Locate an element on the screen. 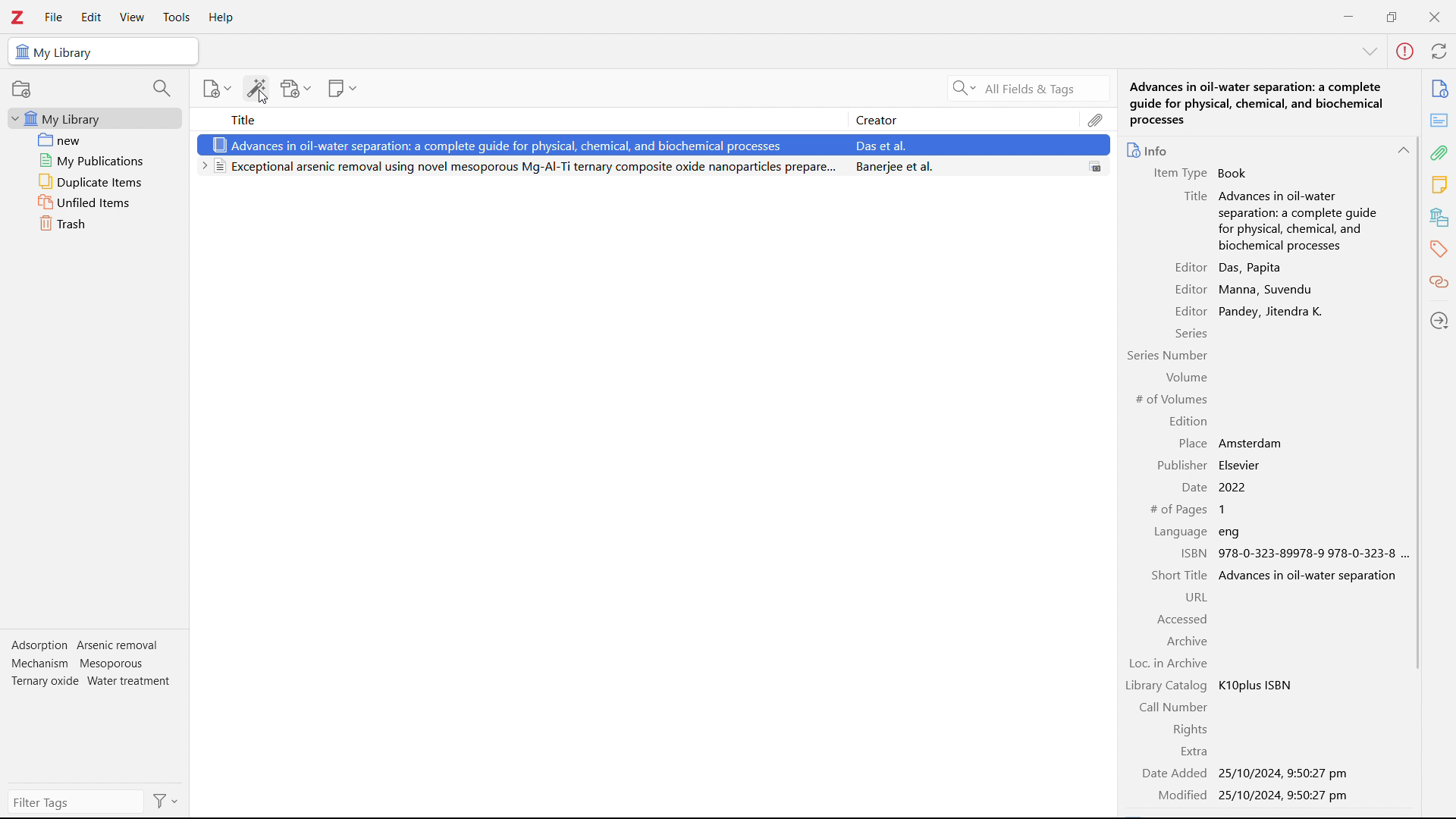 The width and height of the screenshot is (1456, 819). More is located at coordinates (1370, 52).